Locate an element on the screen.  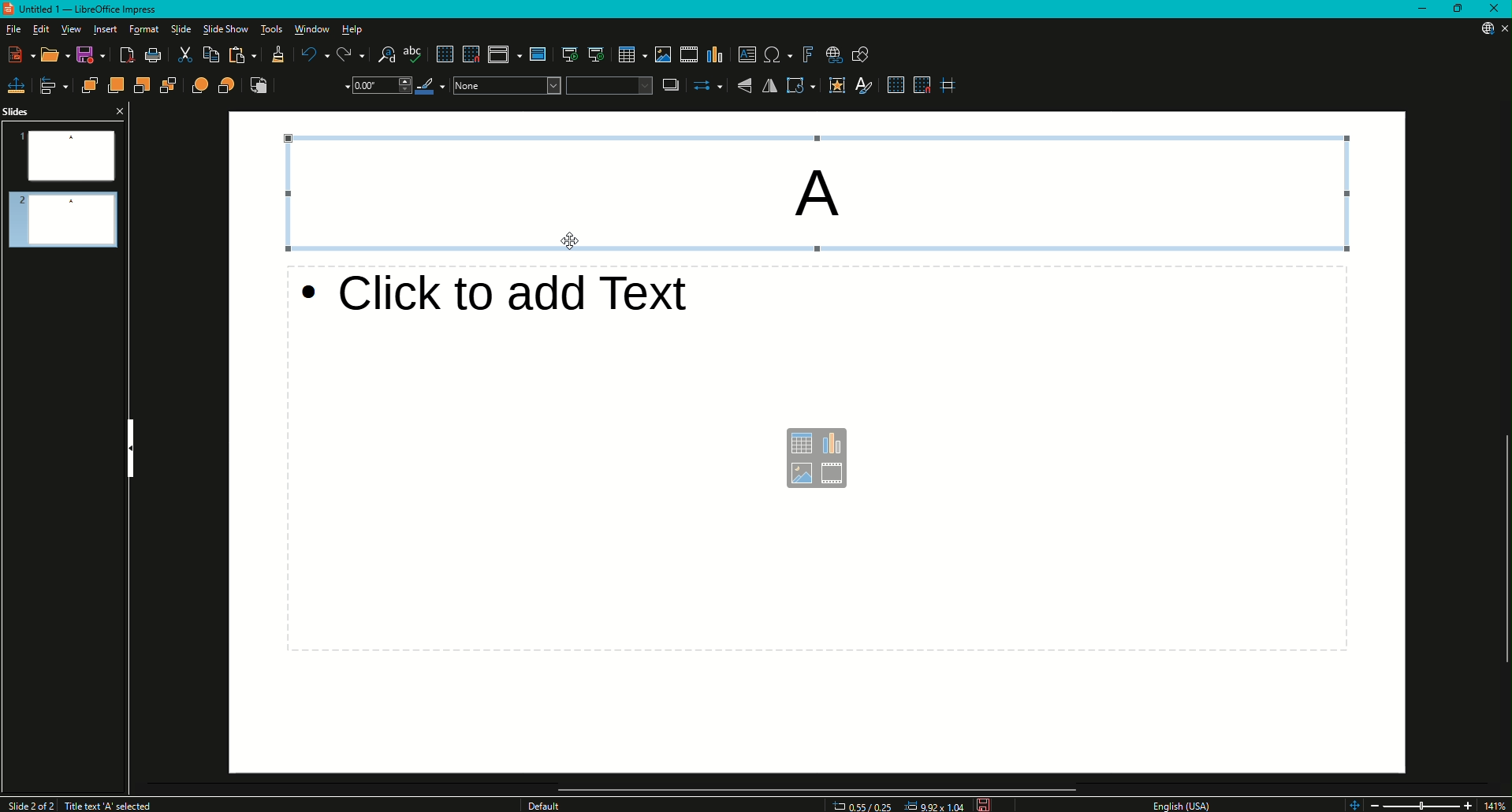
Insert Image is located at coordinates (660, 53).